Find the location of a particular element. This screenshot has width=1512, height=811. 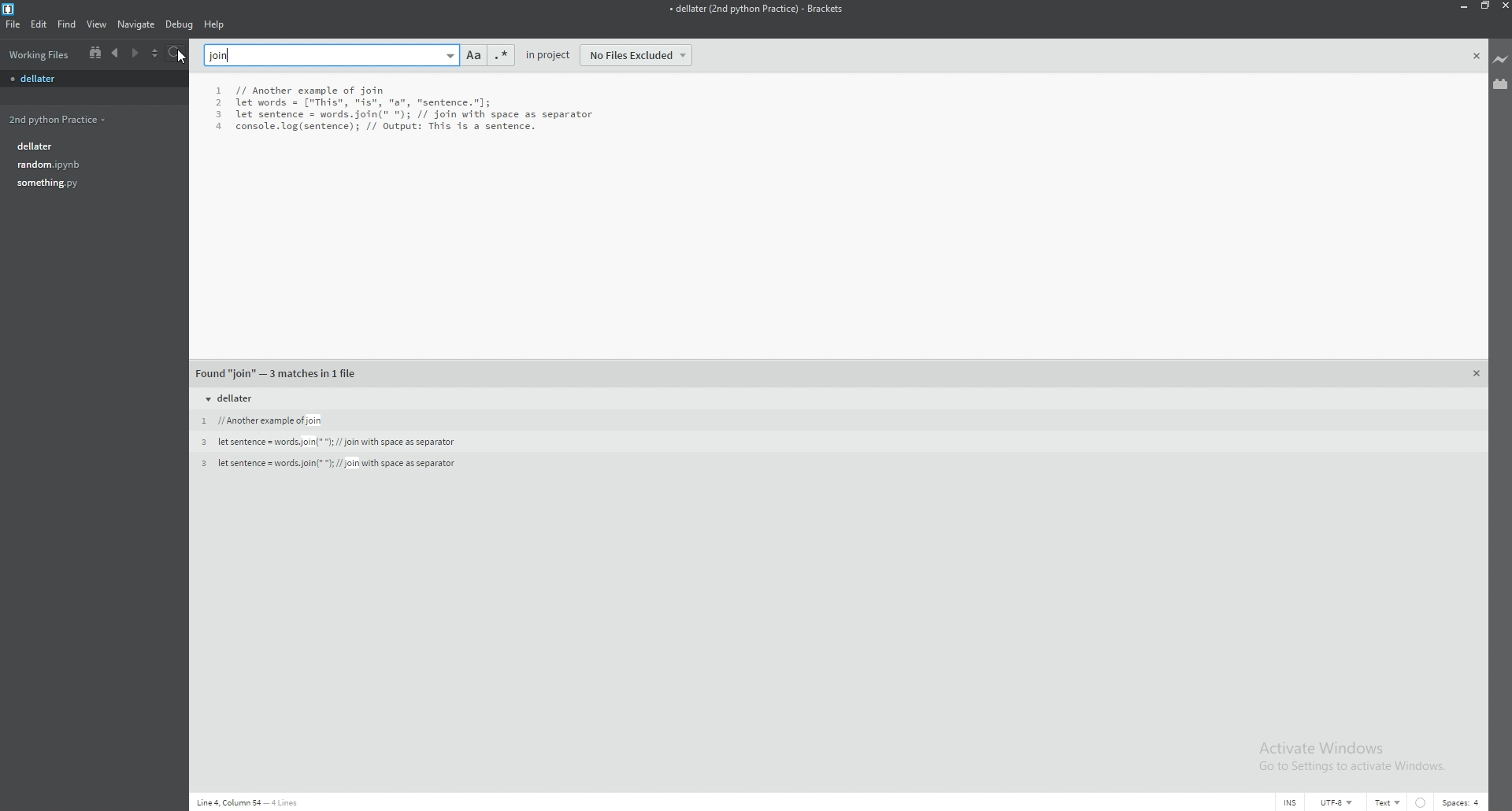

+ dellater (2nd python Practice) - Brackets is located at coordinates (777, 16).